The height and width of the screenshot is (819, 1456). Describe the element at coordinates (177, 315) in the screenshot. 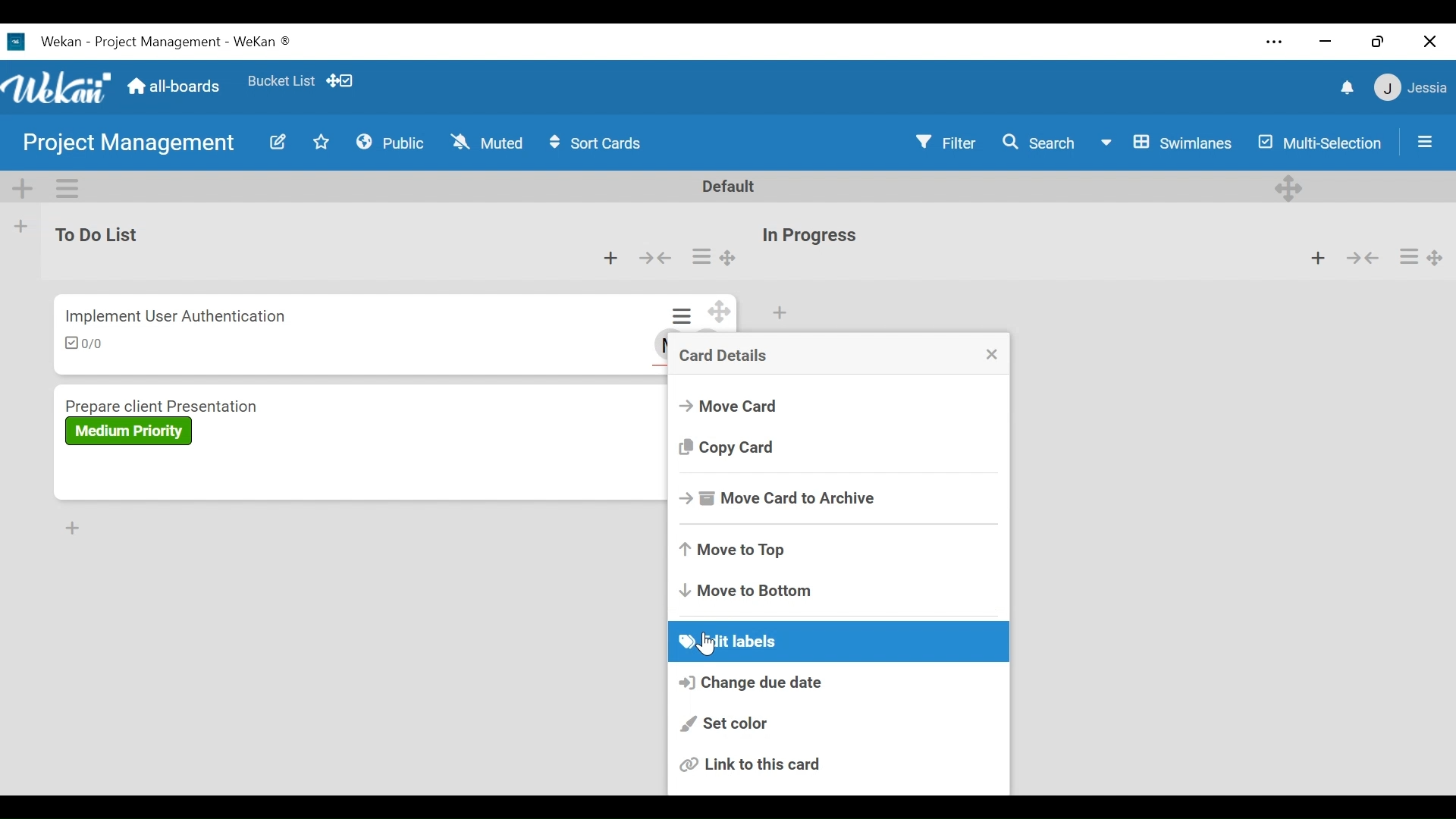

I see `Card Title` at that location.